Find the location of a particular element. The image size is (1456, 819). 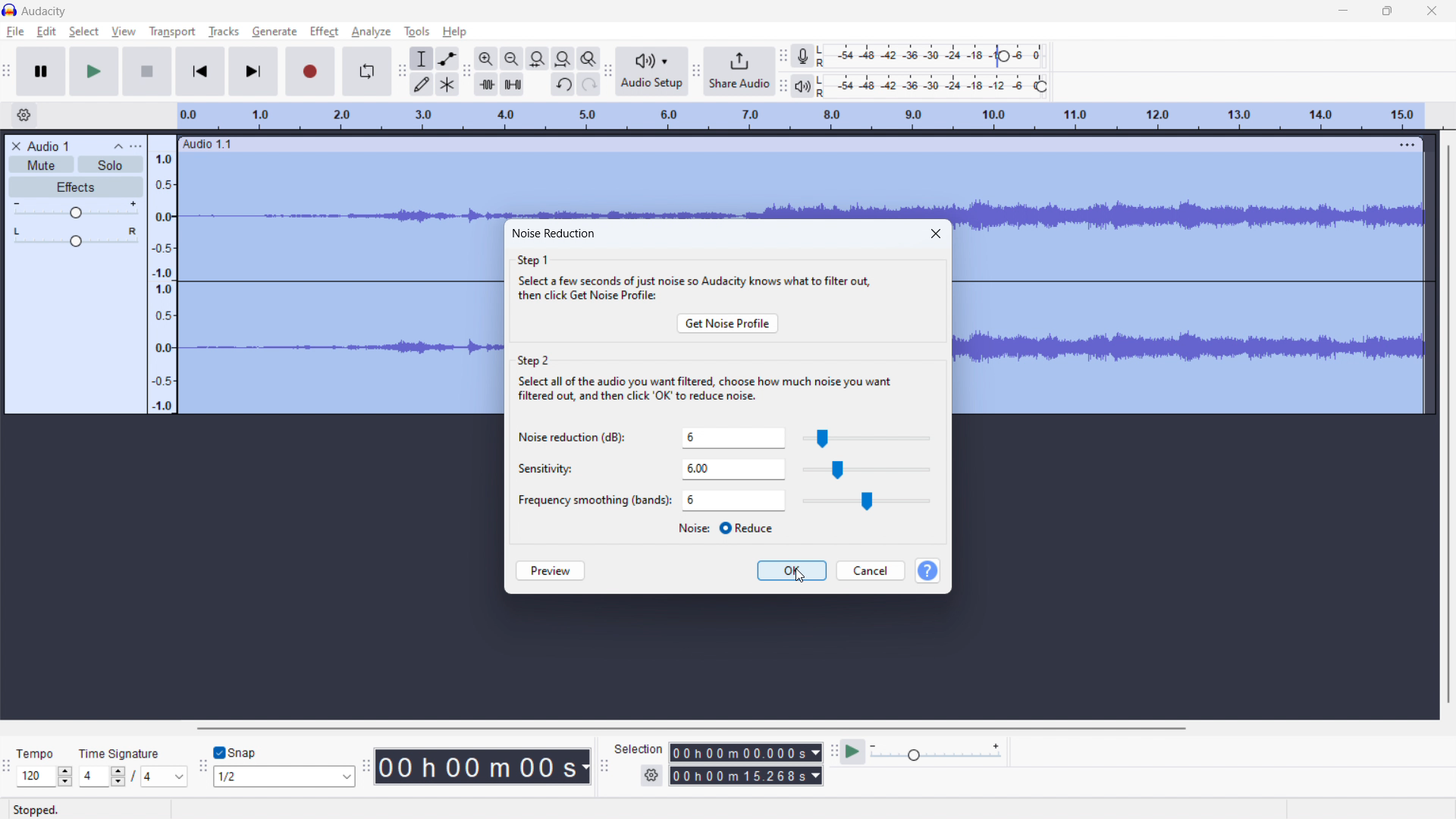

select snapping is located at coordinates (283, 777).